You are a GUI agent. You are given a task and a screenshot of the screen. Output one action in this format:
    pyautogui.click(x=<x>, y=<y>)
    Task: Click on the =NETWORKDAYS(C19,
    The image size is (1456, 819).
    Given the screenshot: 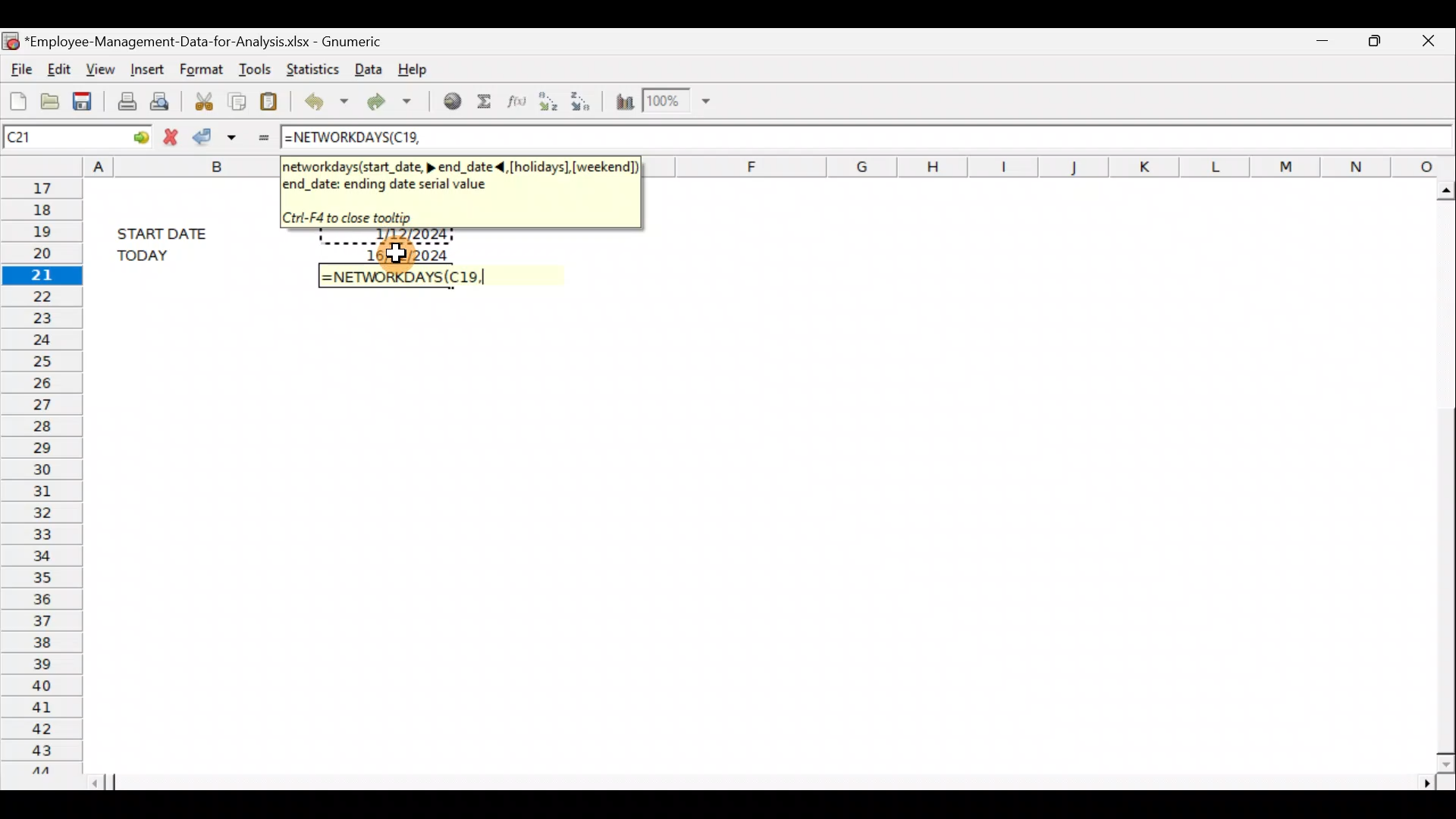 What is the action you would take?
    pyautogui.click(x=351, y=139)
    